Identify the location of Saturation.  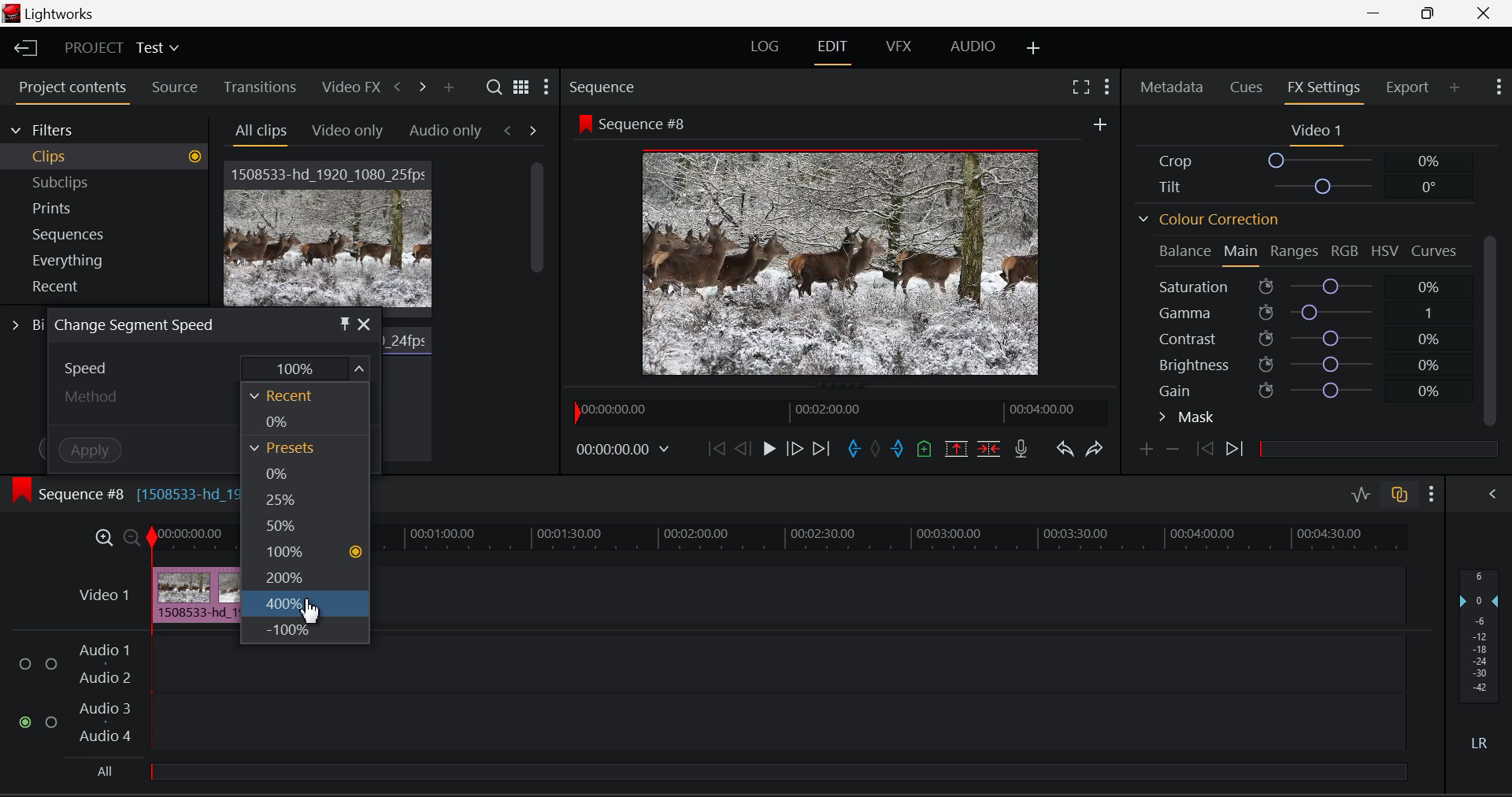
(1298, 286).